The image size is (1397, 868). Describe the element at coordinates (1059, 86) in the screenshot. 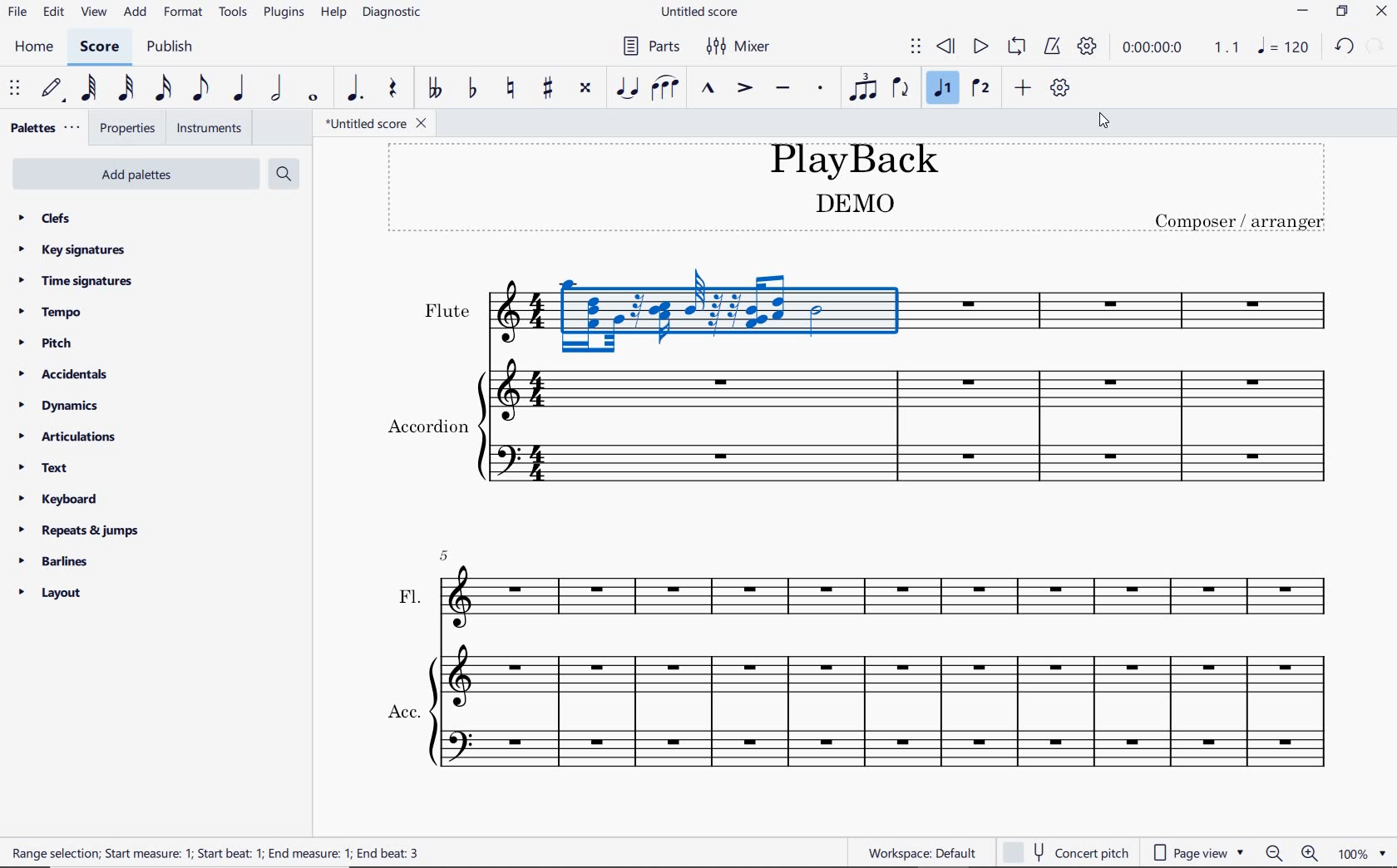

I see `customize toolbar` at that location.